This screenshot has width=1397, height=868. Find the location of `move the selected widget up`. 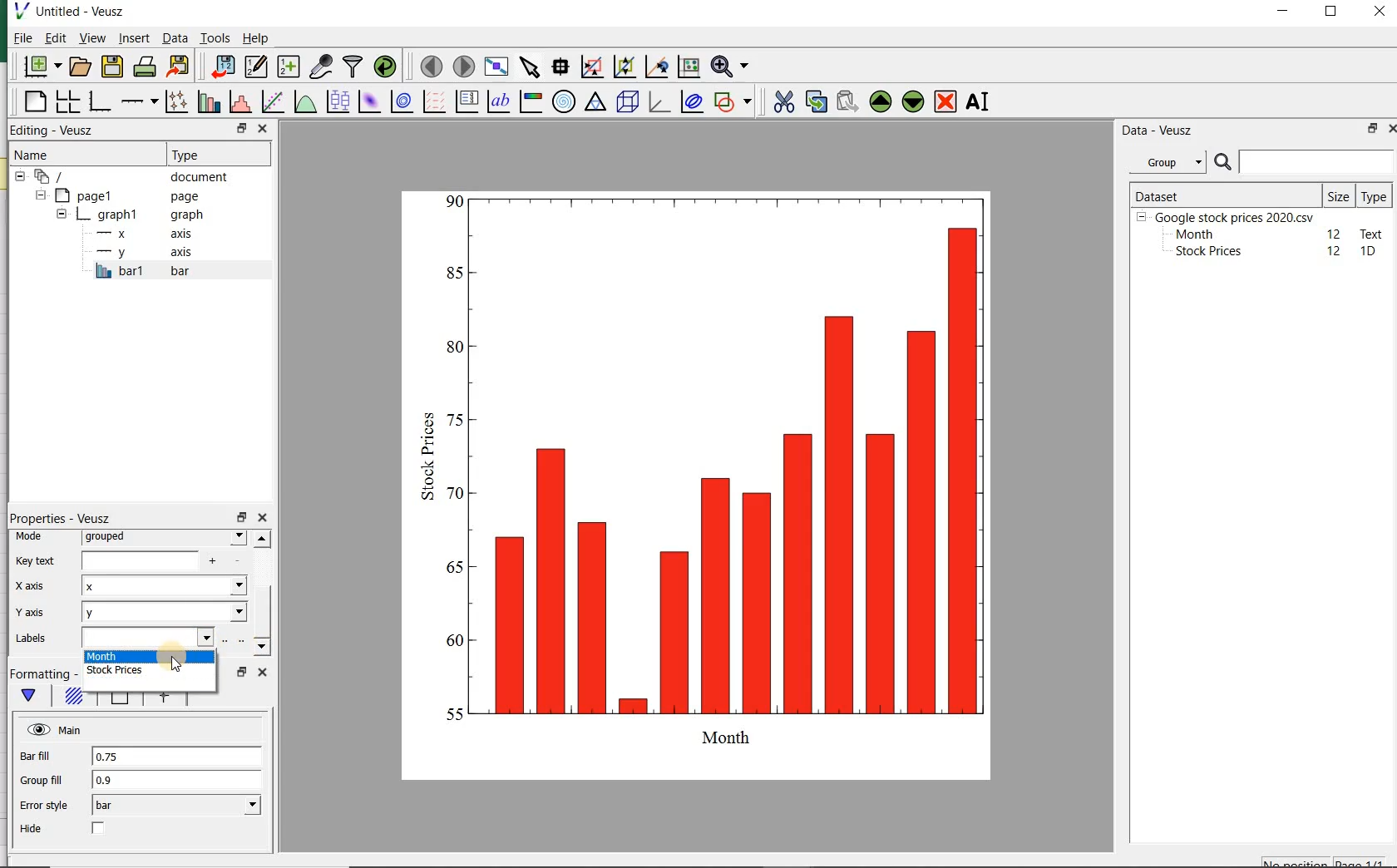

move the selected widget up is located at coordinates (881, 101).